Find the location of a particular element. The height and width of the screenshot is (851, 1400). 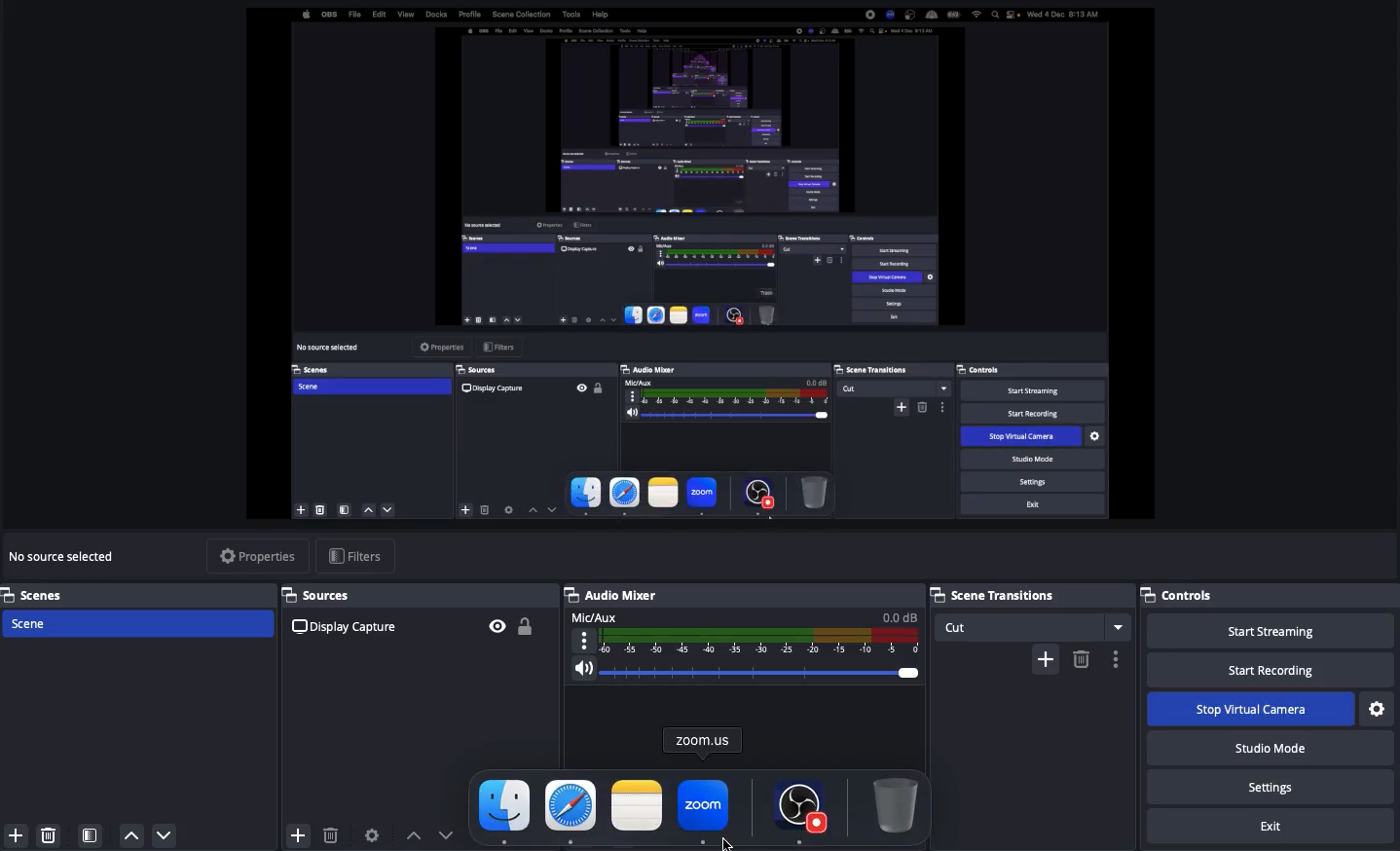

Settings is located at coordinates (1376, 706).